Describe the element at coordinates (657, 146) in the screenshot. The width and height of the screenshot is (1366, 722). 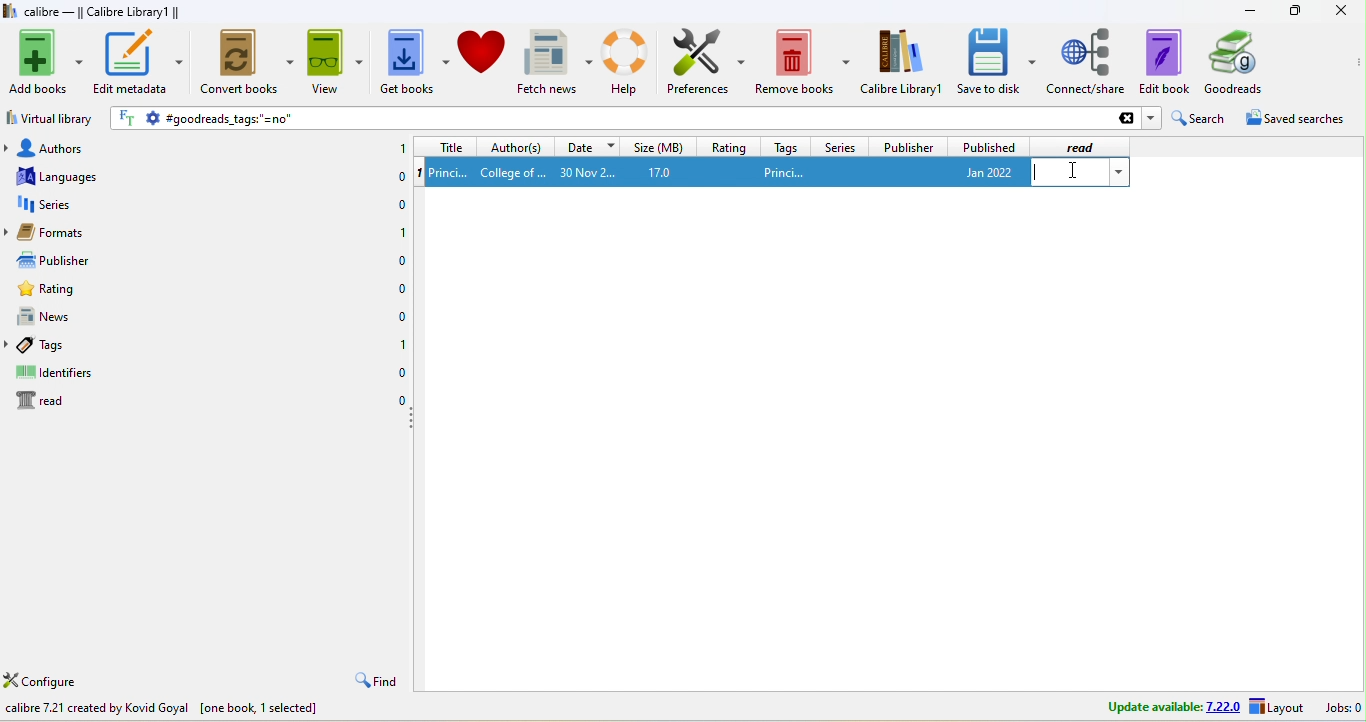
I see `size` at that location.